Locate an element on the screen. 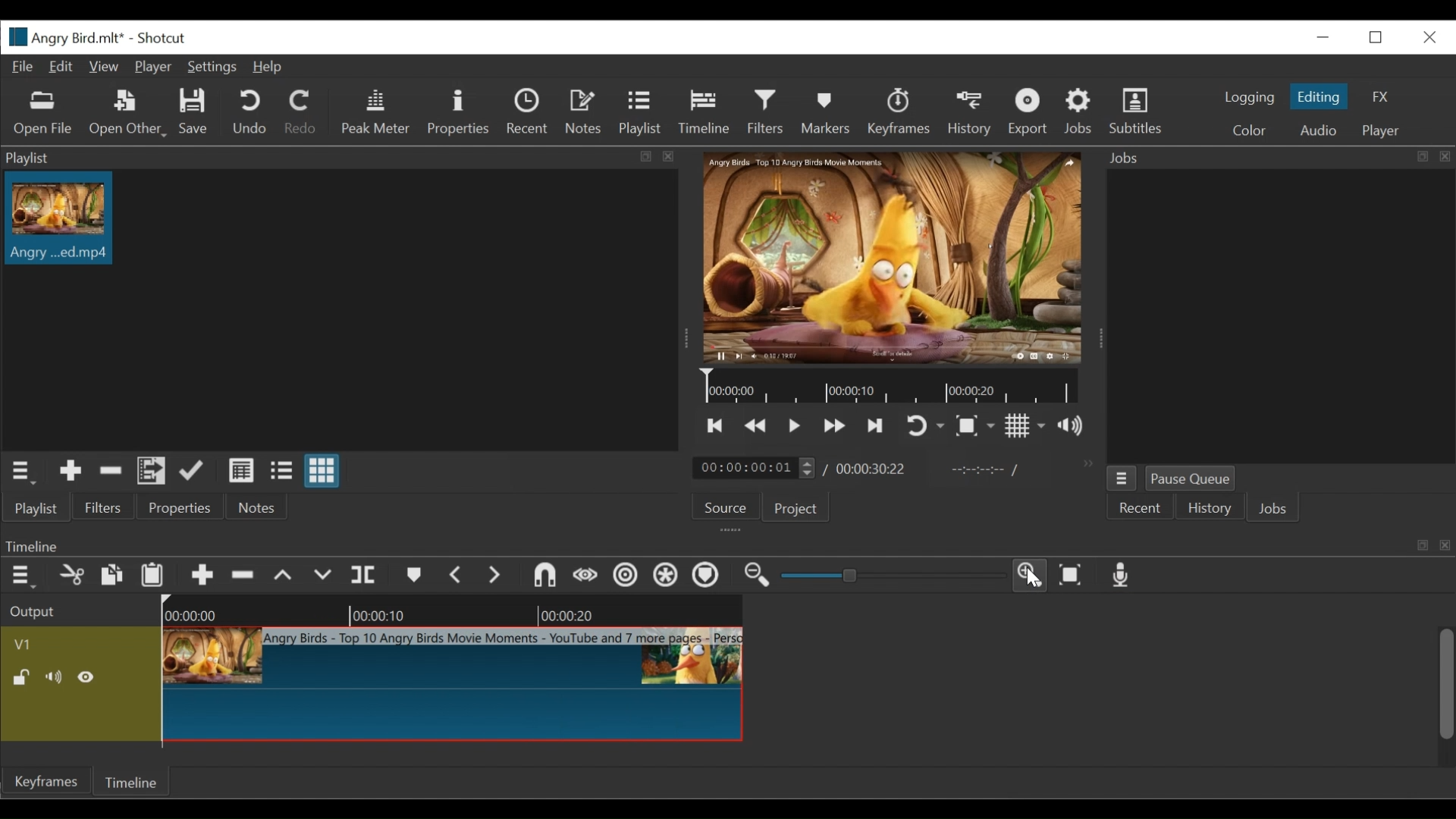 The width and height of the screenshot is (1456, 819). Timeline menu is located at coordinates (21, 577).